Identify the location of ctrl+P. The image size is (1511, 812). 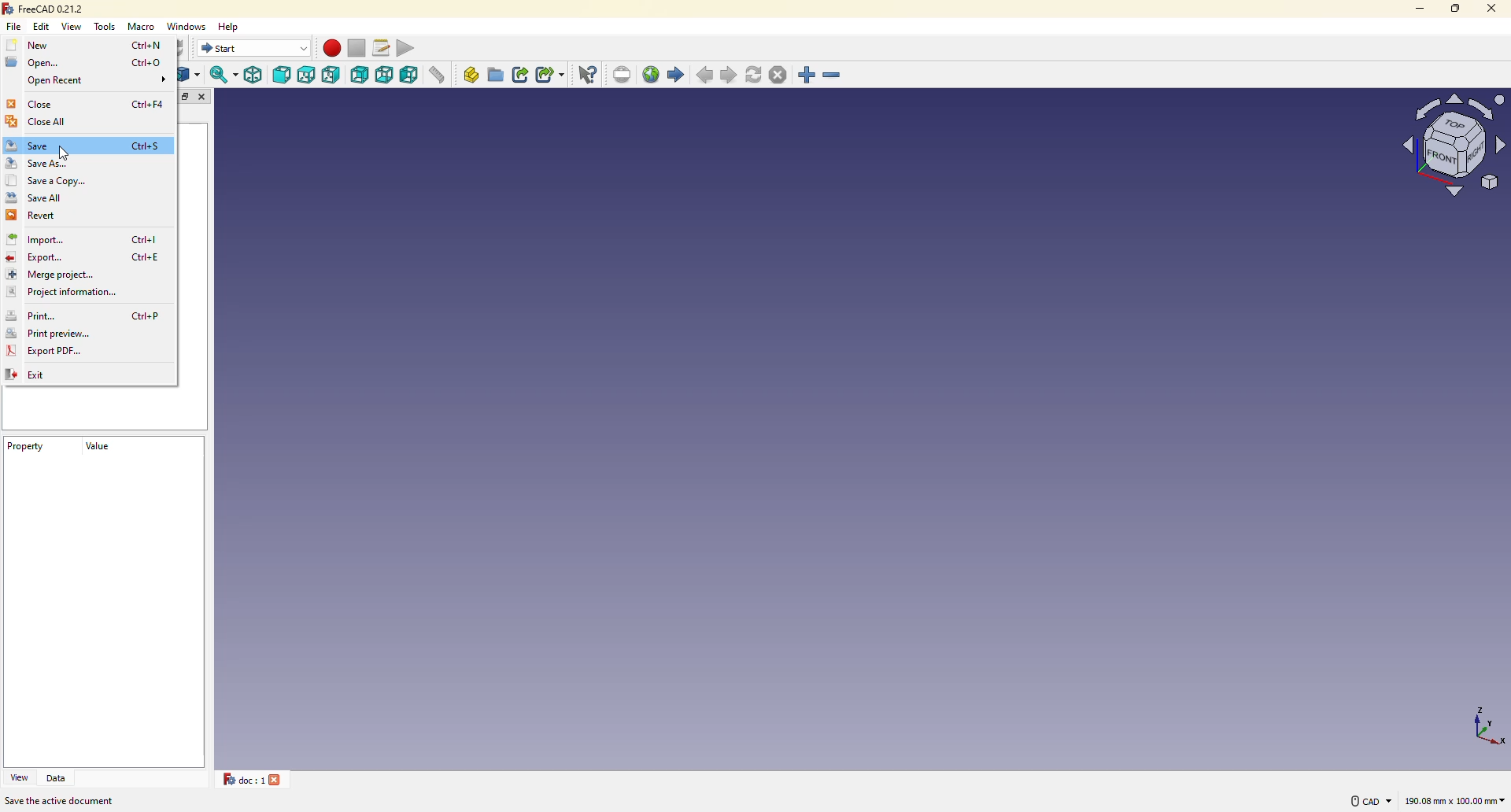
(145, 315).